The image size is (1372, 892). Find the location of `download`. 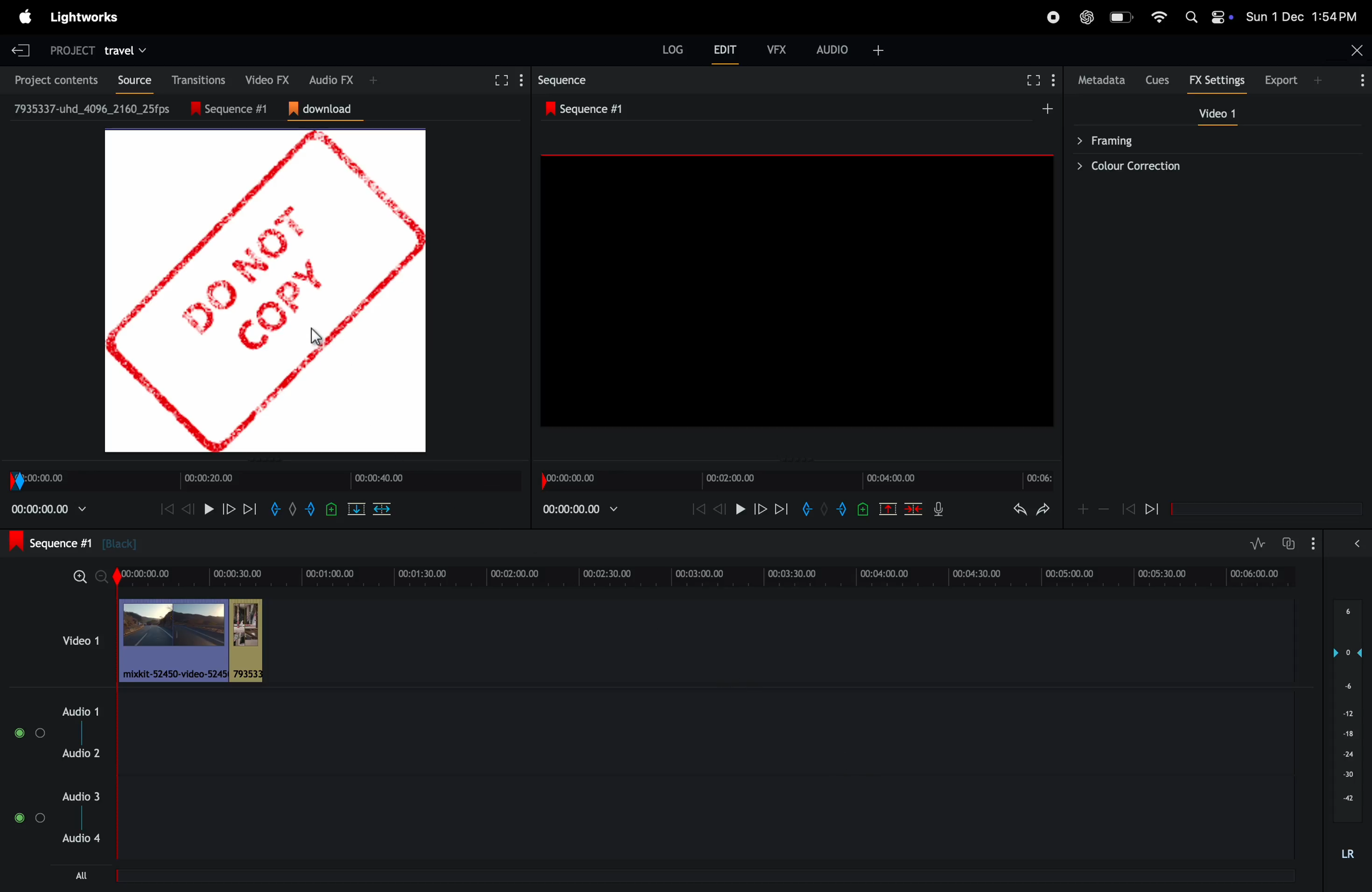

download is located at coordinates (326, 109).